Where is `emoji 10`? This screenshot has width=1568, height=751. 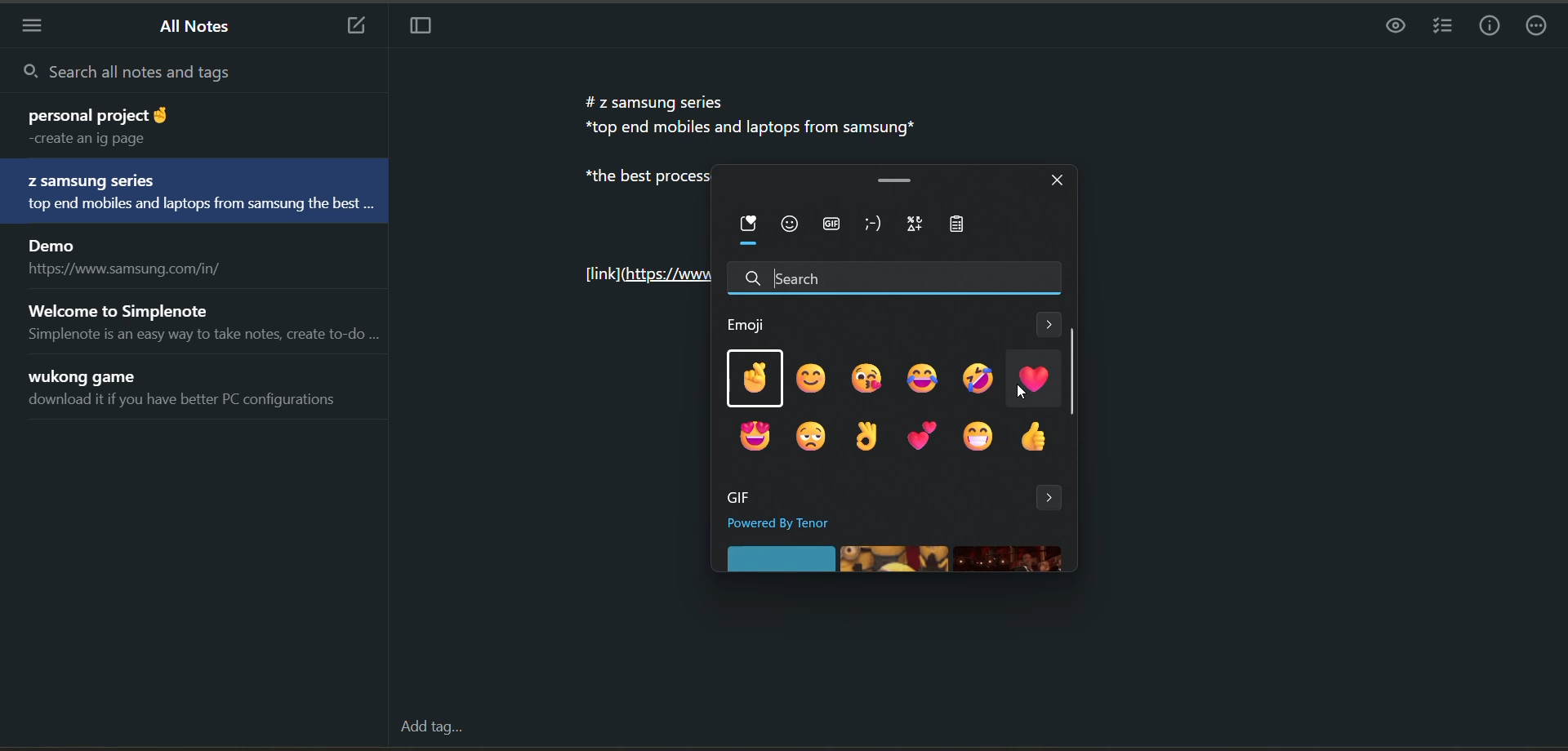
emoji 10 is located at coordinates (922, 434).